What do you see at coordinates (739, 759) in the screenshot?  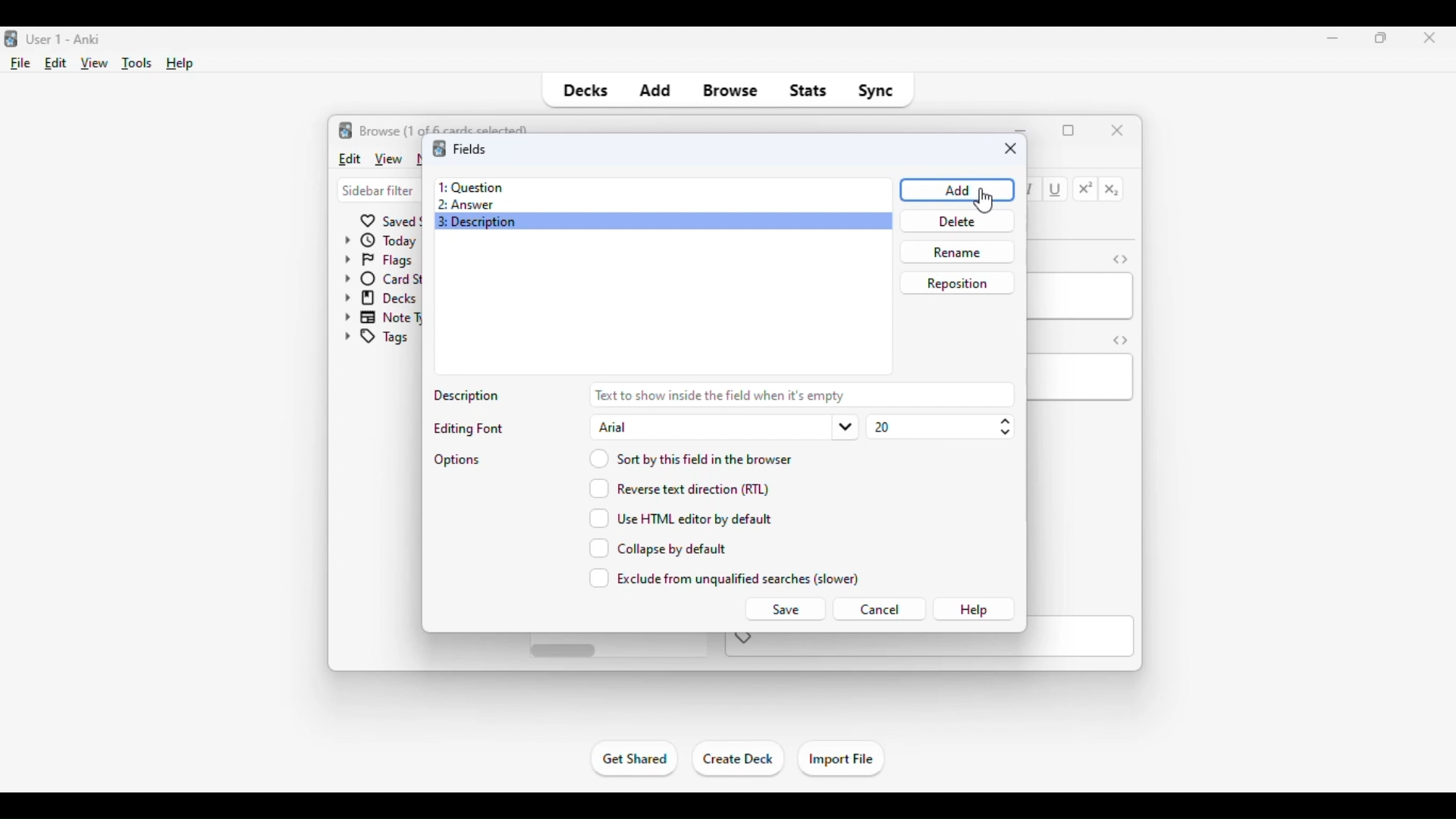 I see `create deck` at bounding box center [739, 759].